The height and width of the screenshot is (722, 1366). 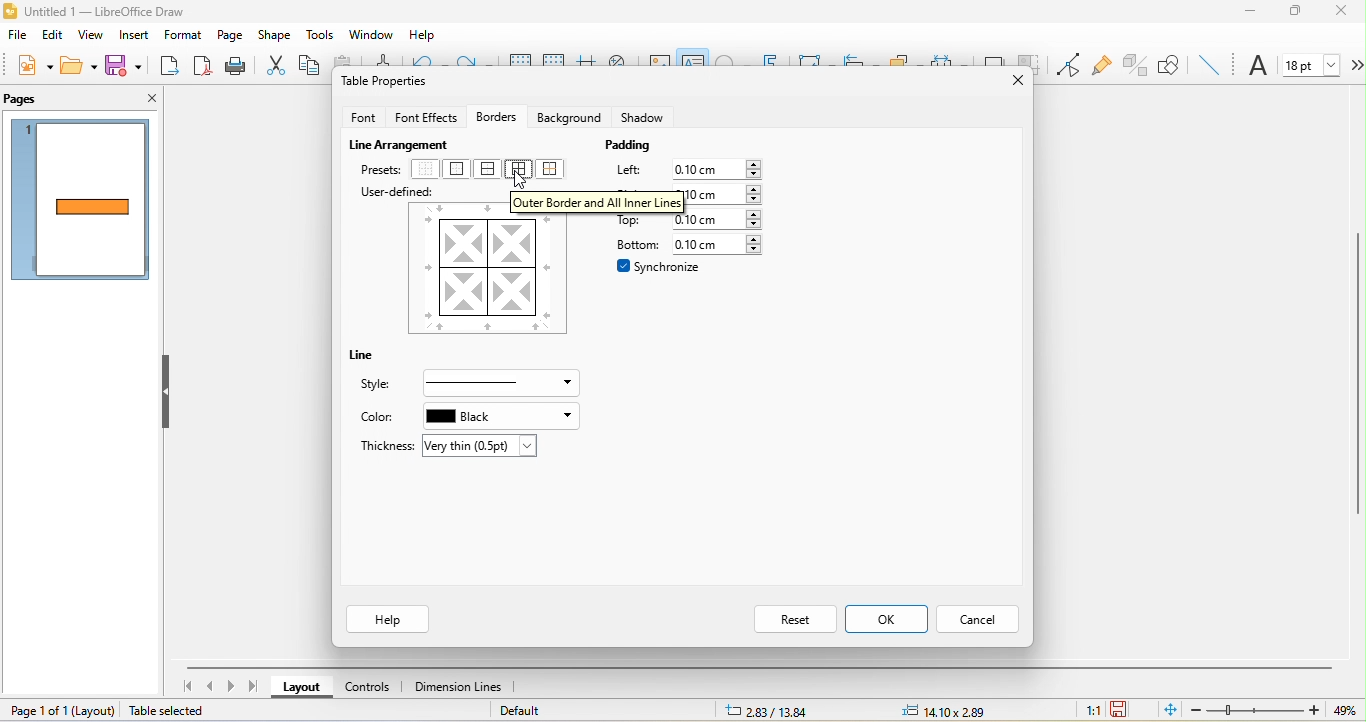 I want to click on User defined, so click(x=397, y=192).